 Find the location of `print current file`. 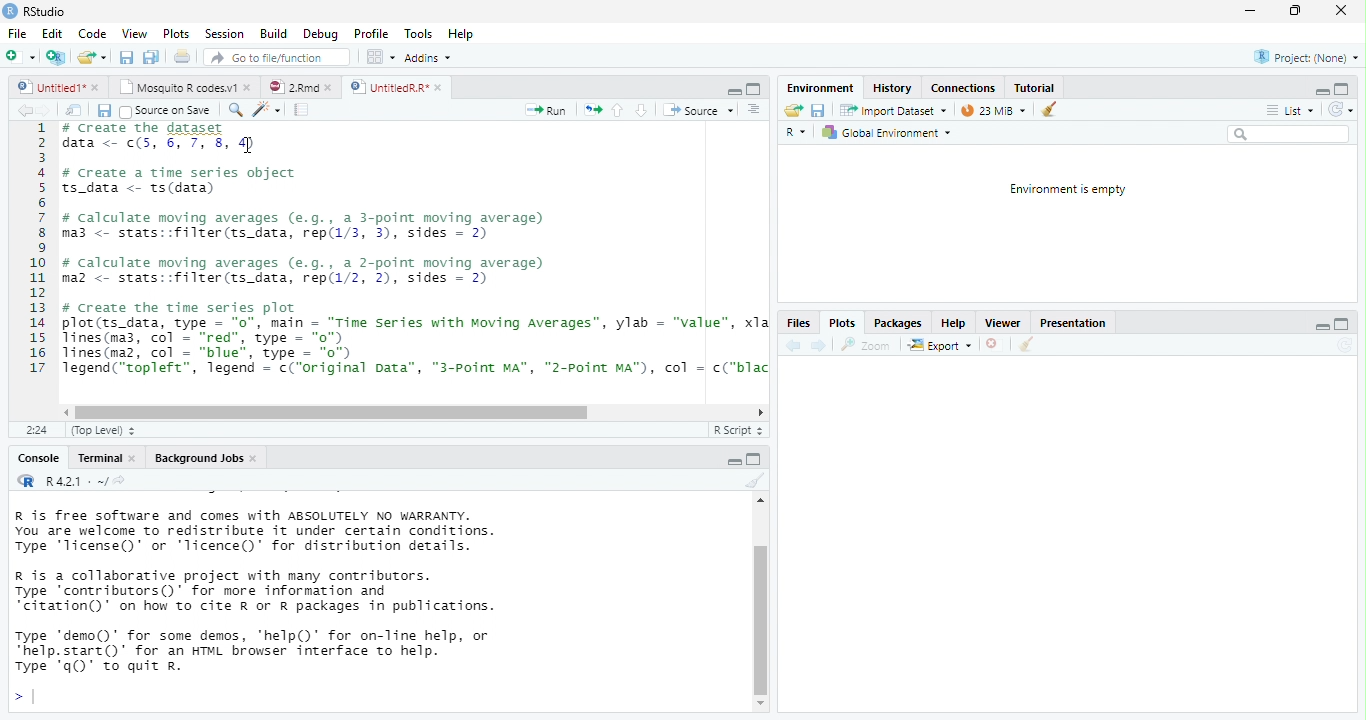

print current file is located at coordinates (151, 57).